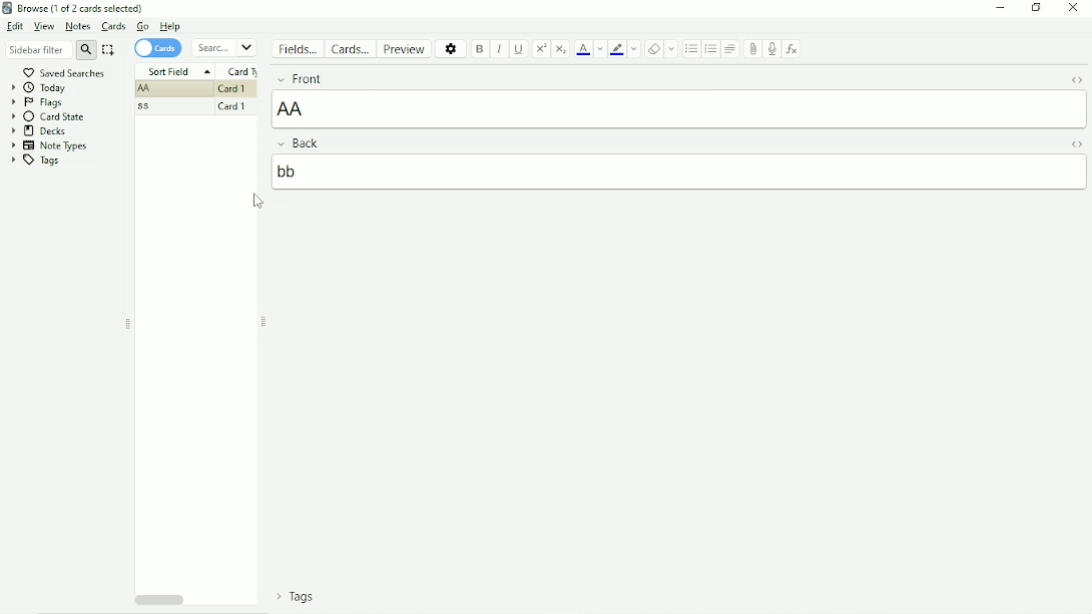  Describe the element at coordinates (179, 72) in the screenshot. I see `Sort Field` at that location.